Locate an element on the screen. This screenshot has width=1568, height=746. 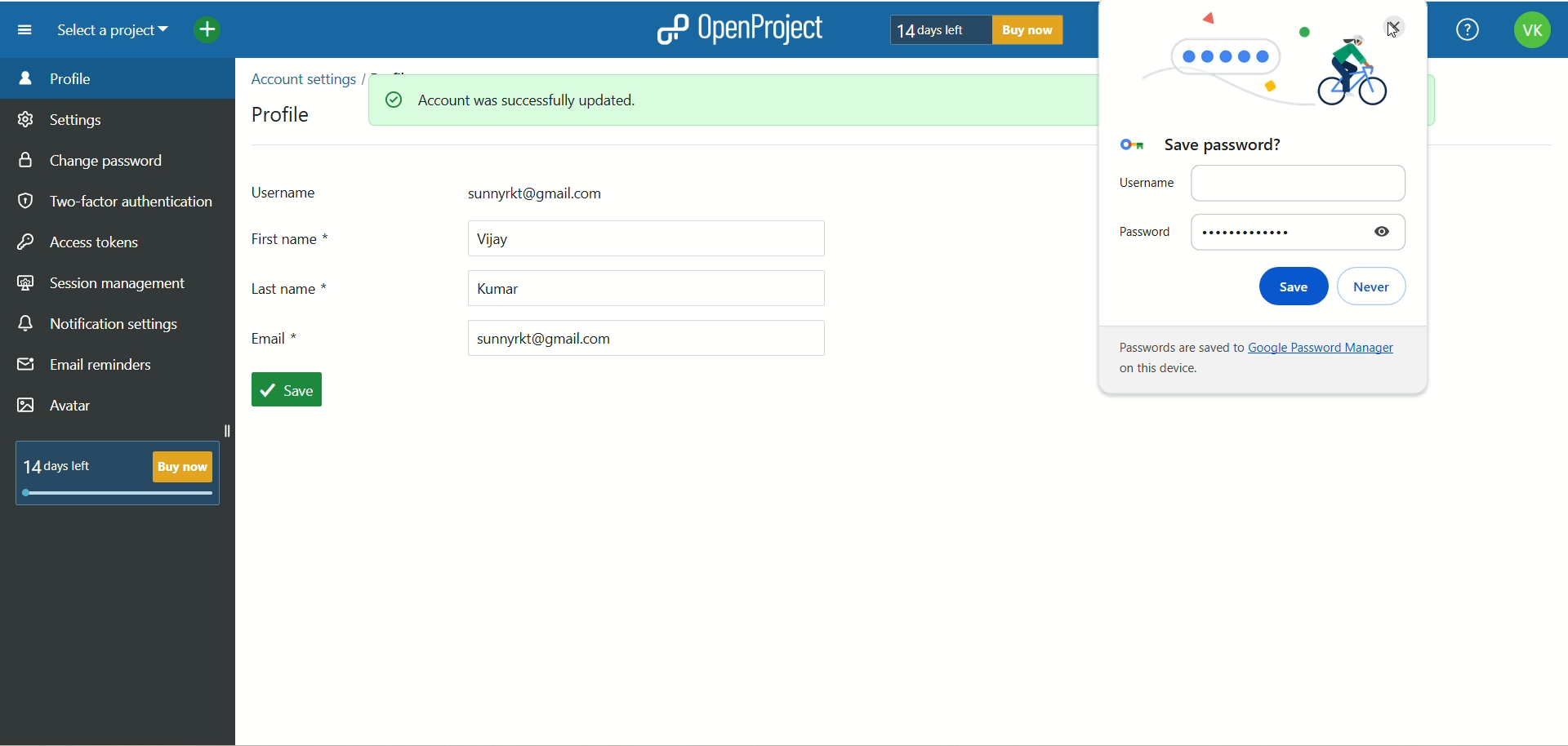
account is located at coordinates (1526, 33).